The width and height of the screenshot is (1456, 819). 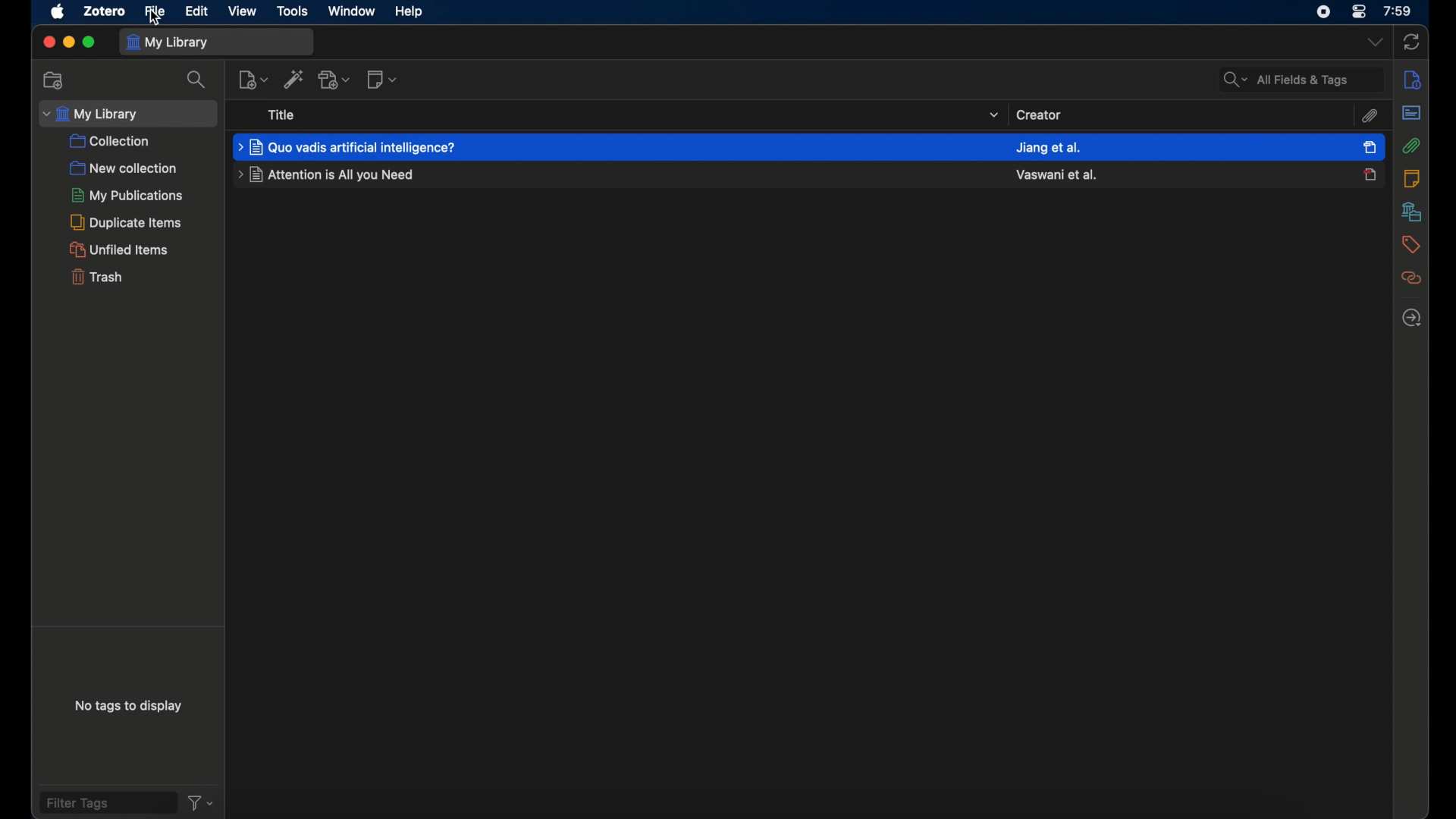 I want to click on collection, so click(x=110, y=142).